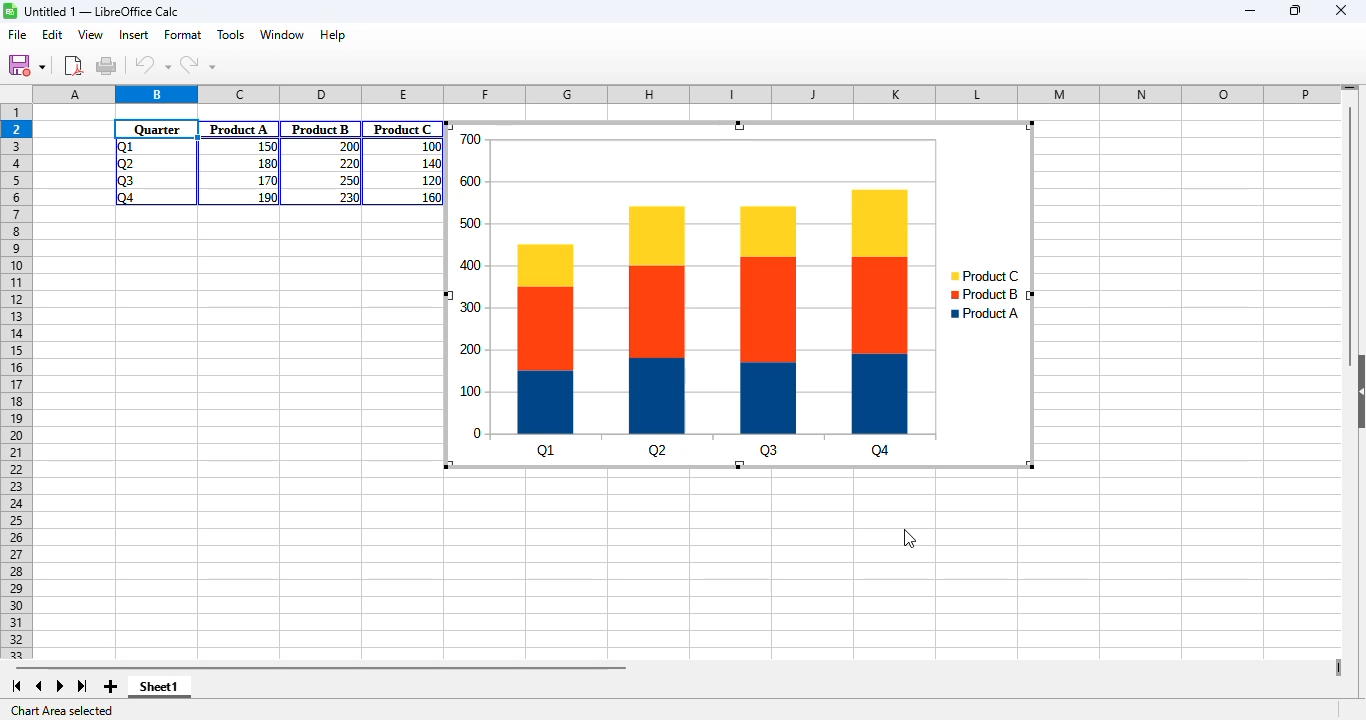  Describe the element at coordinates (108, 686) in the screenshot. I see `add new sheet` at that location.